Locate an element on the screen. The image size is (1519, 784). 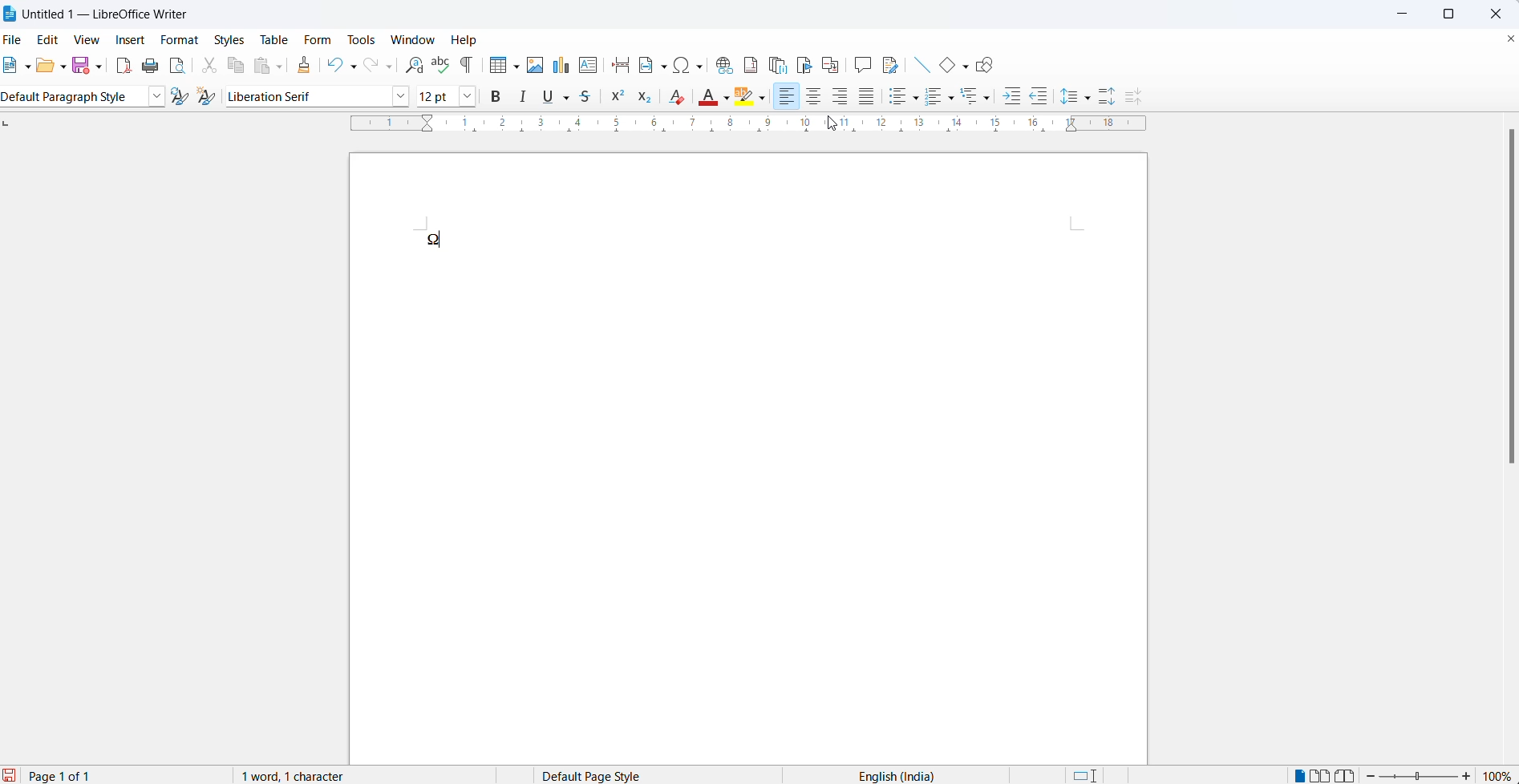
spellings is located at coordinates (439, 64).